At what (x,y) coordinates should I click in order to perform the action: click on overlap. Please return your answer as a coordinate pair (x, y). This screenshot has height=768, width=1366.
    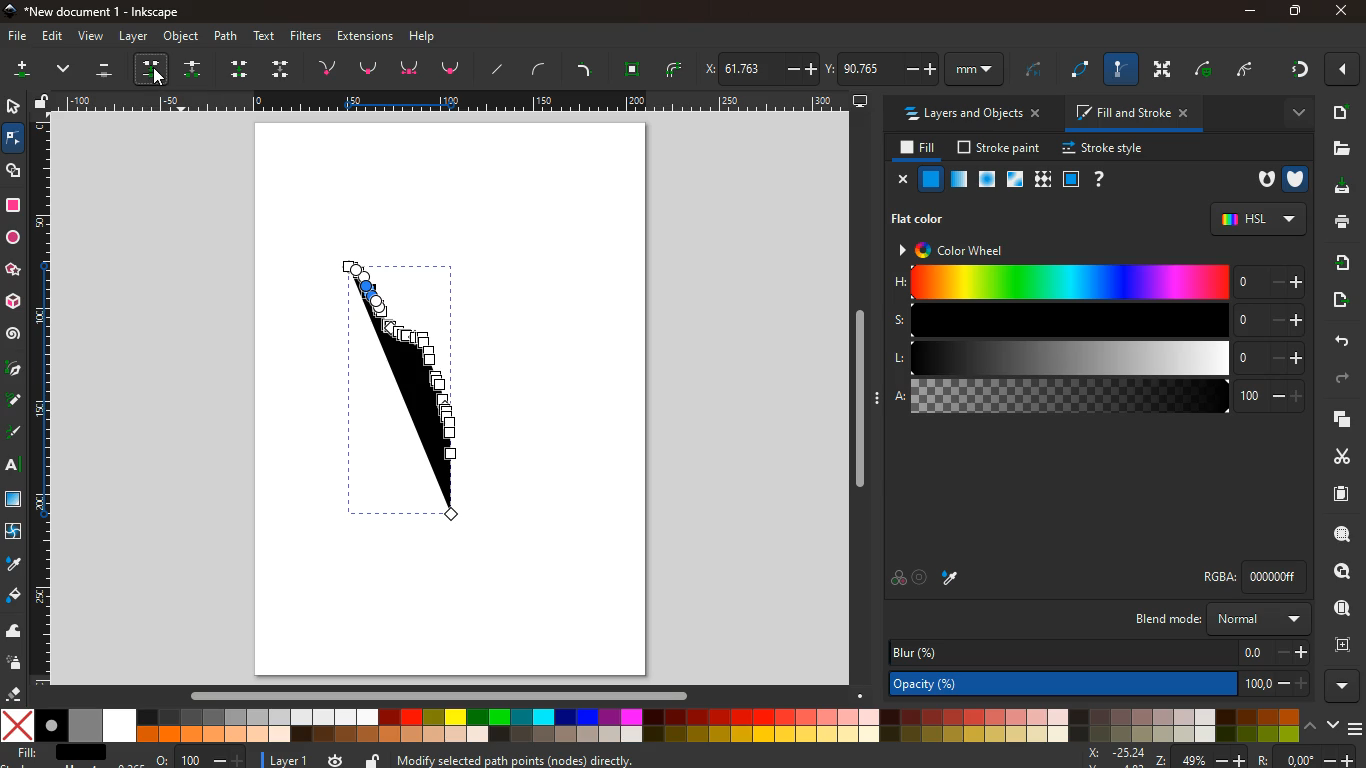
    Looking at the image, I should click on (898, 578).